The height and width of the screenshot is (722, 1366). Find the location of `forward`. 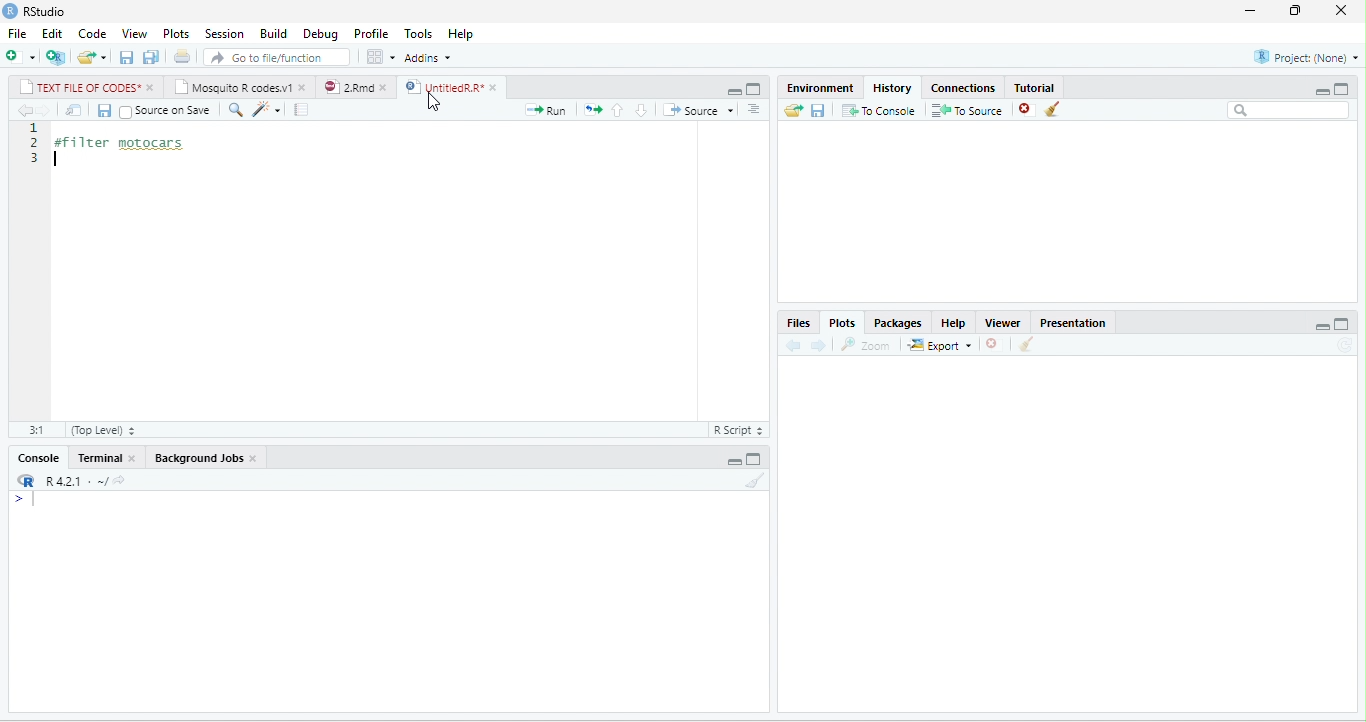

forward is located at coordinates (44, 110).